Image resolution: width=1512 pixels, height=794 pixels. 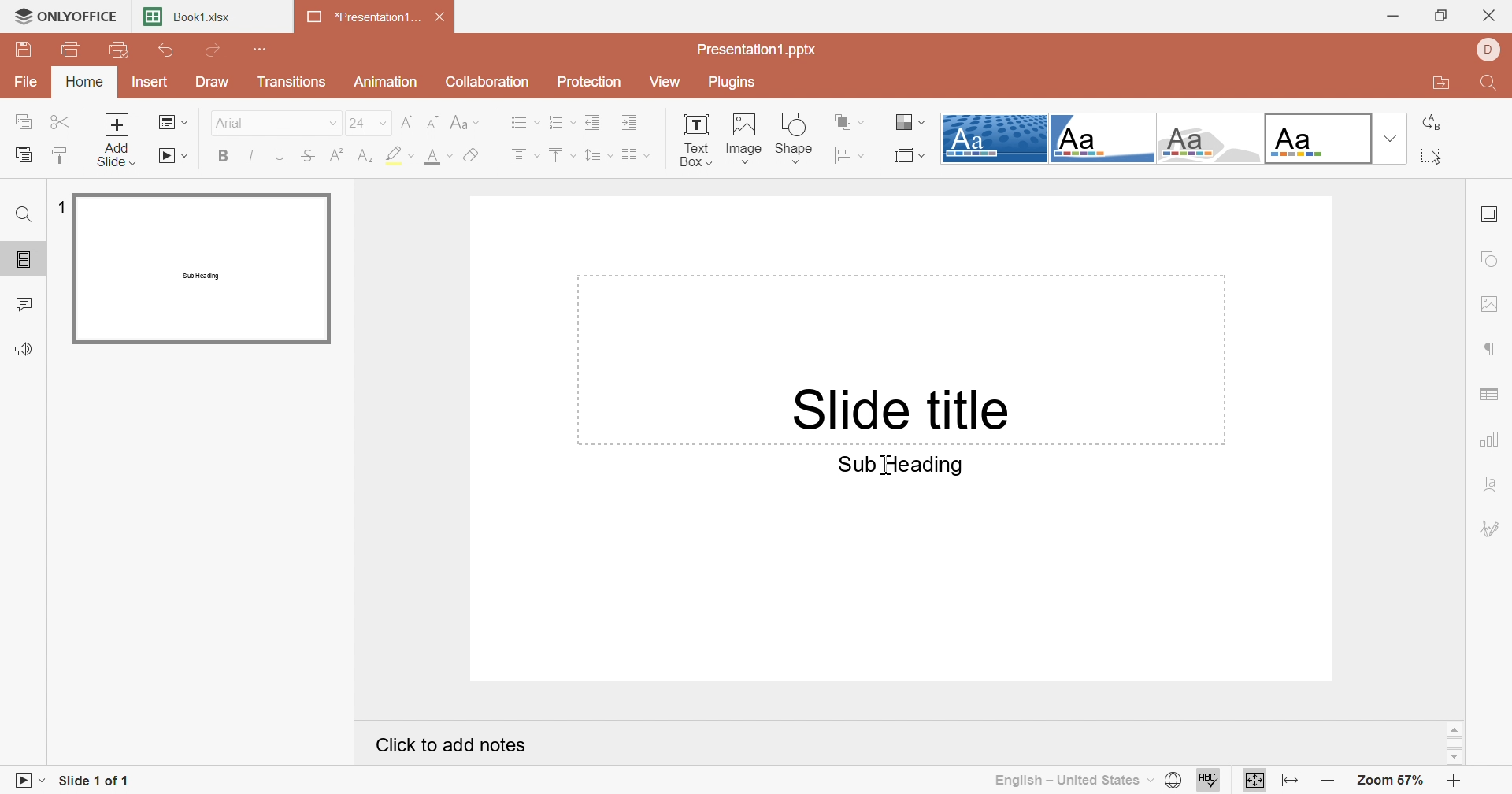 What do you see at coordinates (850, 155) in the screenshot?
I see `Align shape` at bounding box center [850, 155].